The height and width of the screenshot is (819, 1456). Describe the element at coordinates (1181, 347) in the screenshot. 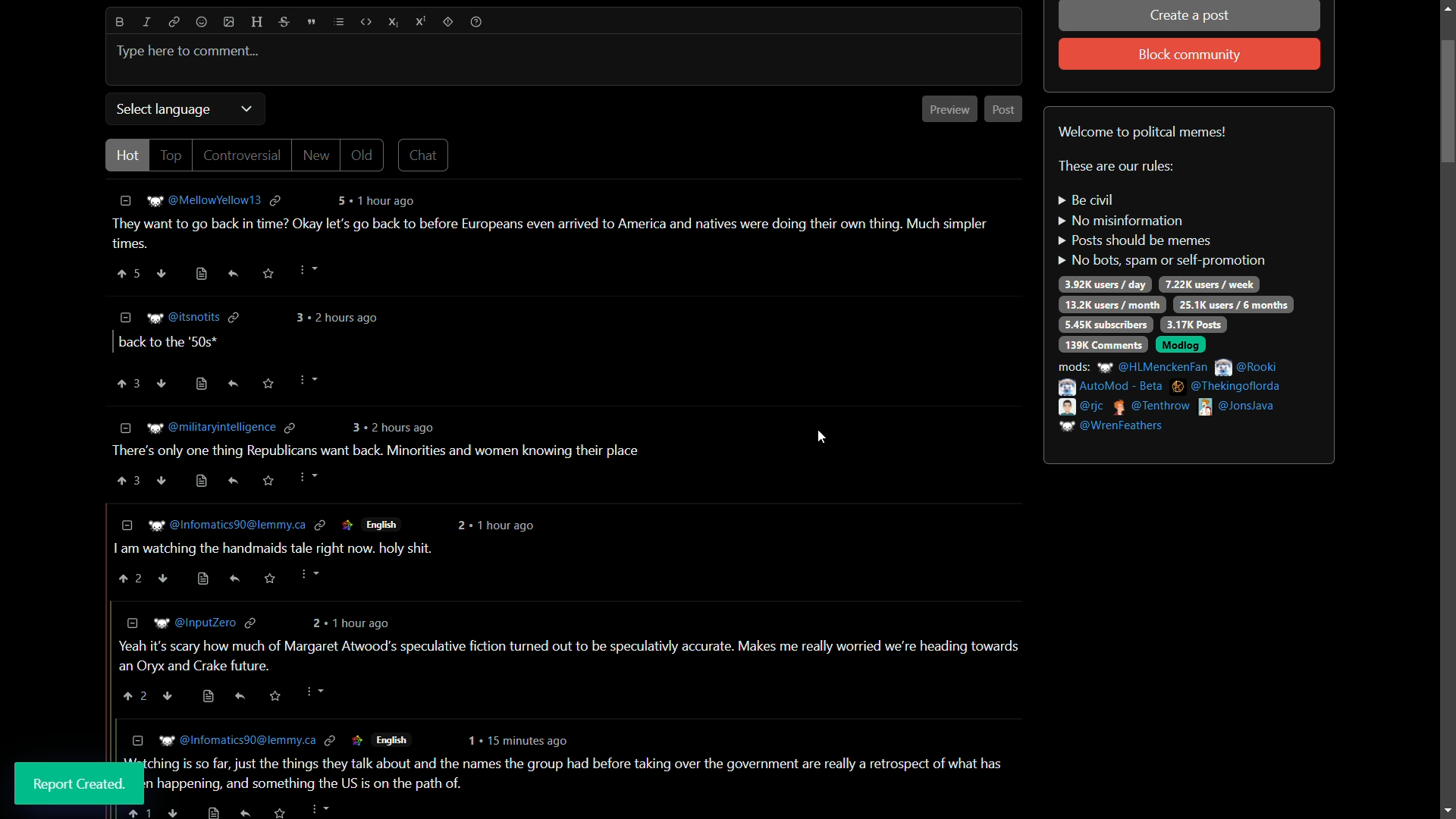

I see `modlog` at that location.